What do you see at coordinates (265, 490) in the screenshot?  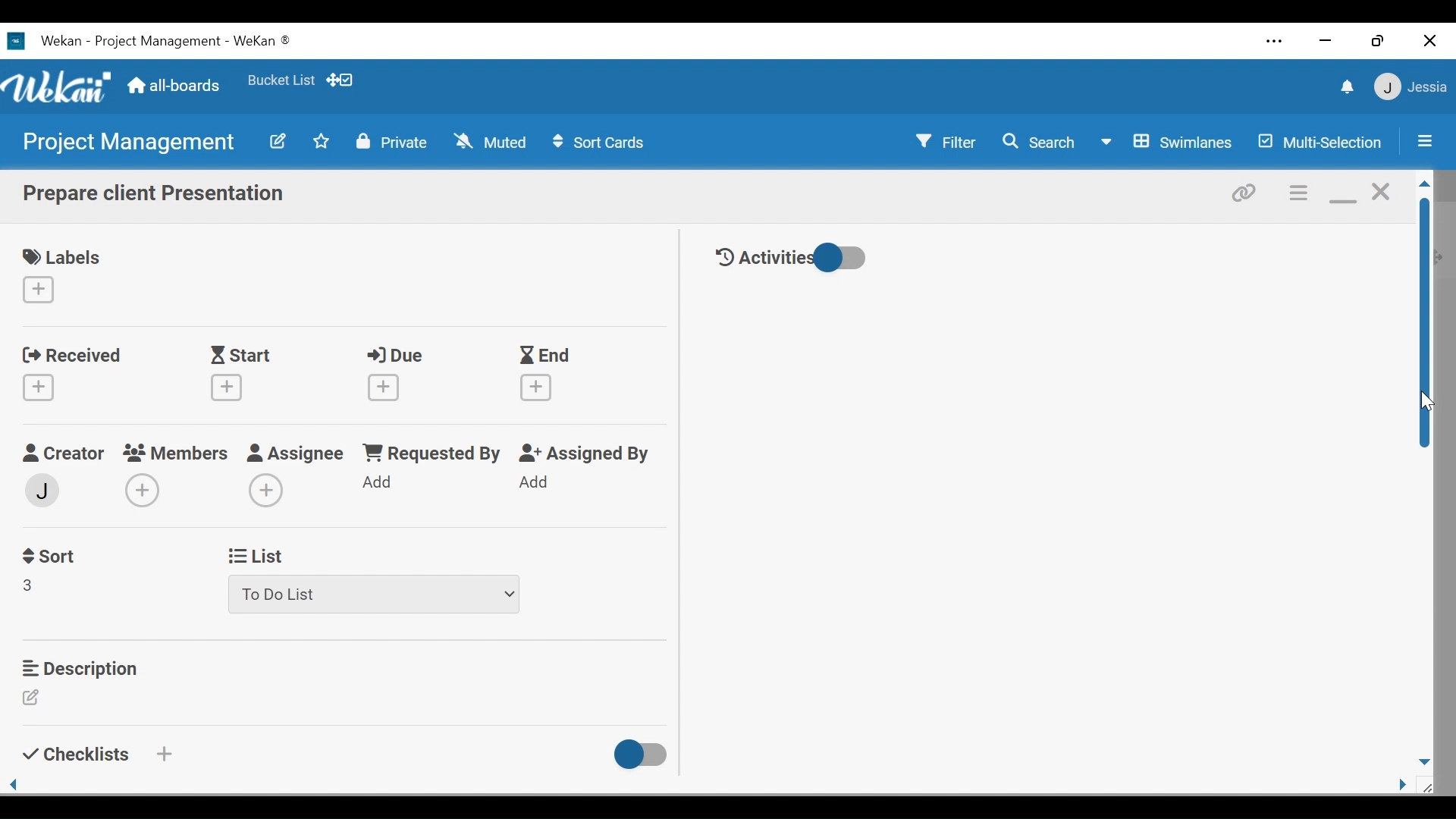 I see `Add Assignee` at bounding box center [265, 490].